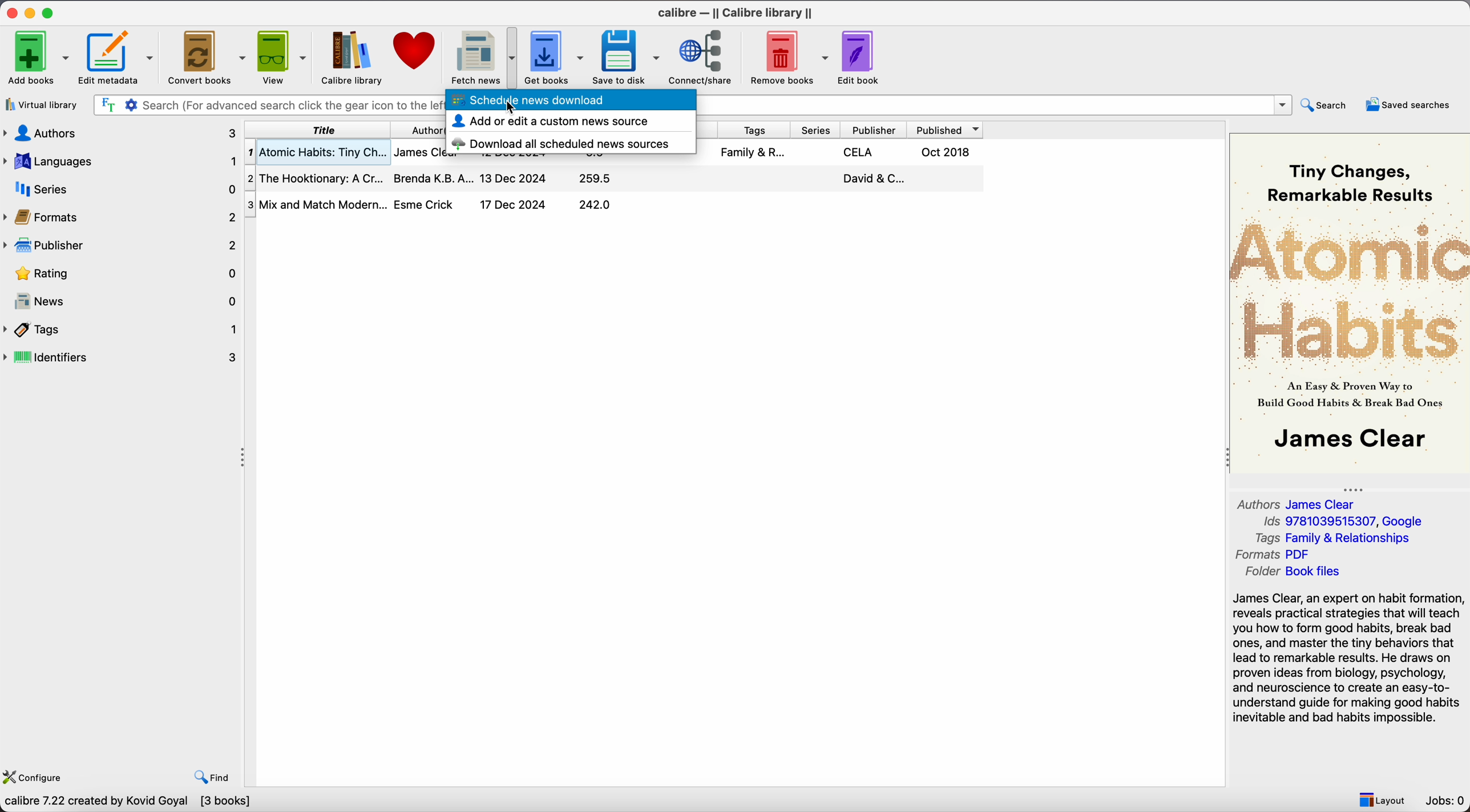  What do you see at coordinates (127, 803) in the screenshot?
I see `clibre 7.22 created by kovid Goyal [3 books]` at bounding box center [127, 803].